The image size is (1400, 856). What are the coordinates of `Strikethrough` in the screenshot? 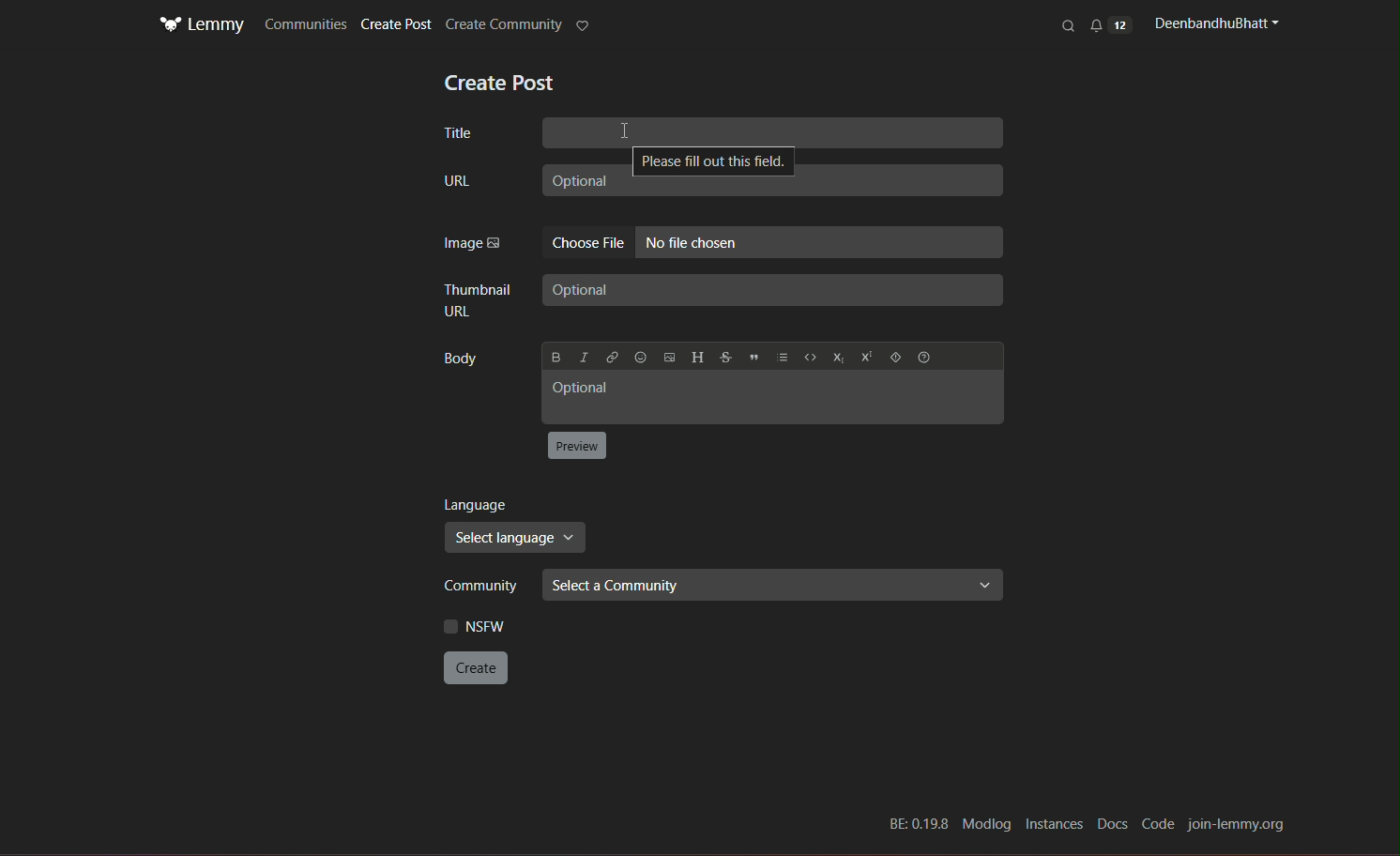 It's located at (723, 356).